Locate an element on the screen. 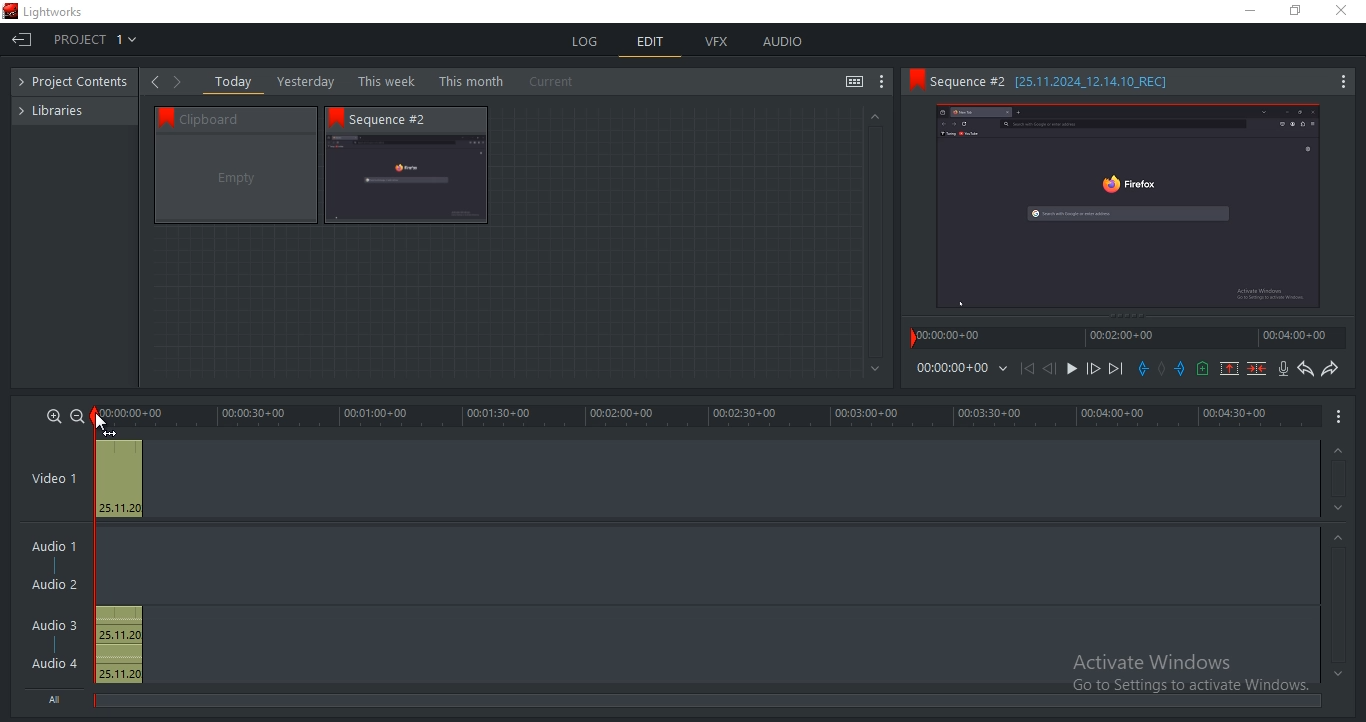 This screenshot has width=1366, height=722. zoom out is located at coordinates (77, 416).